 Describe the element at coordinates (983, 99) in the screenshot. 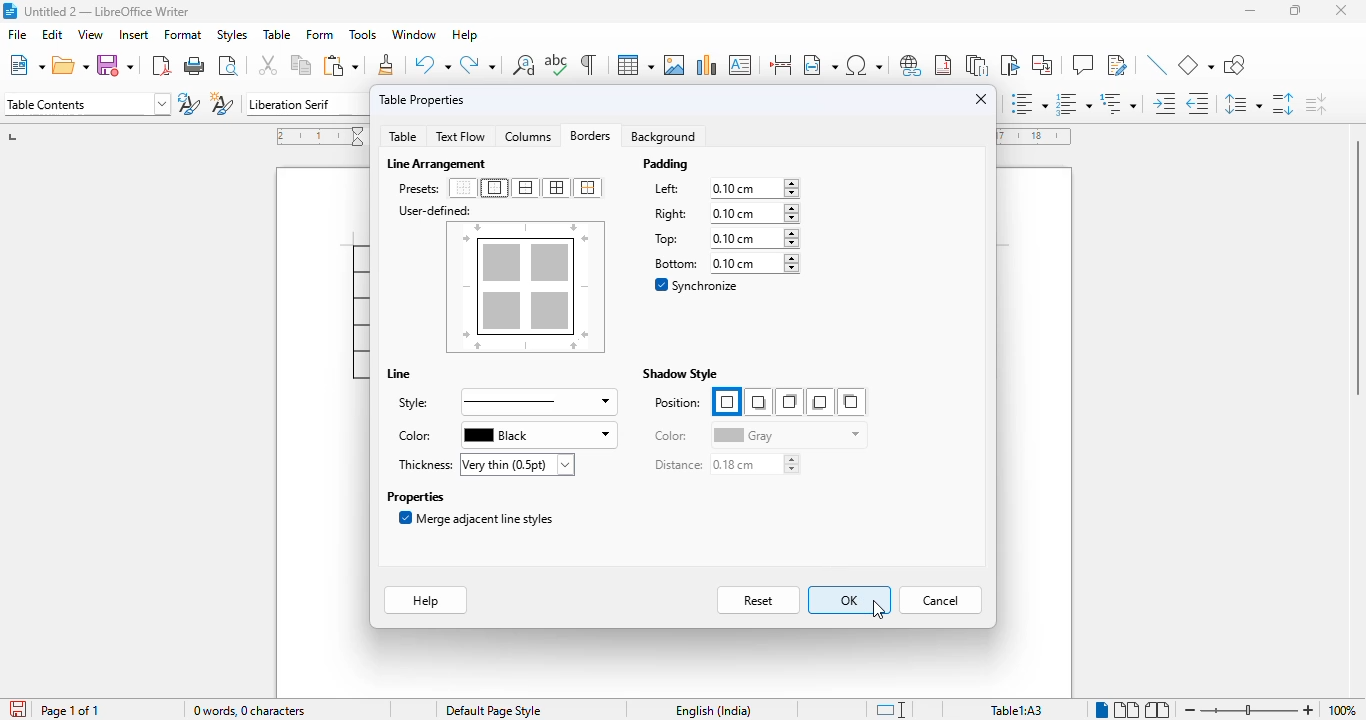

I see `close` at that location.